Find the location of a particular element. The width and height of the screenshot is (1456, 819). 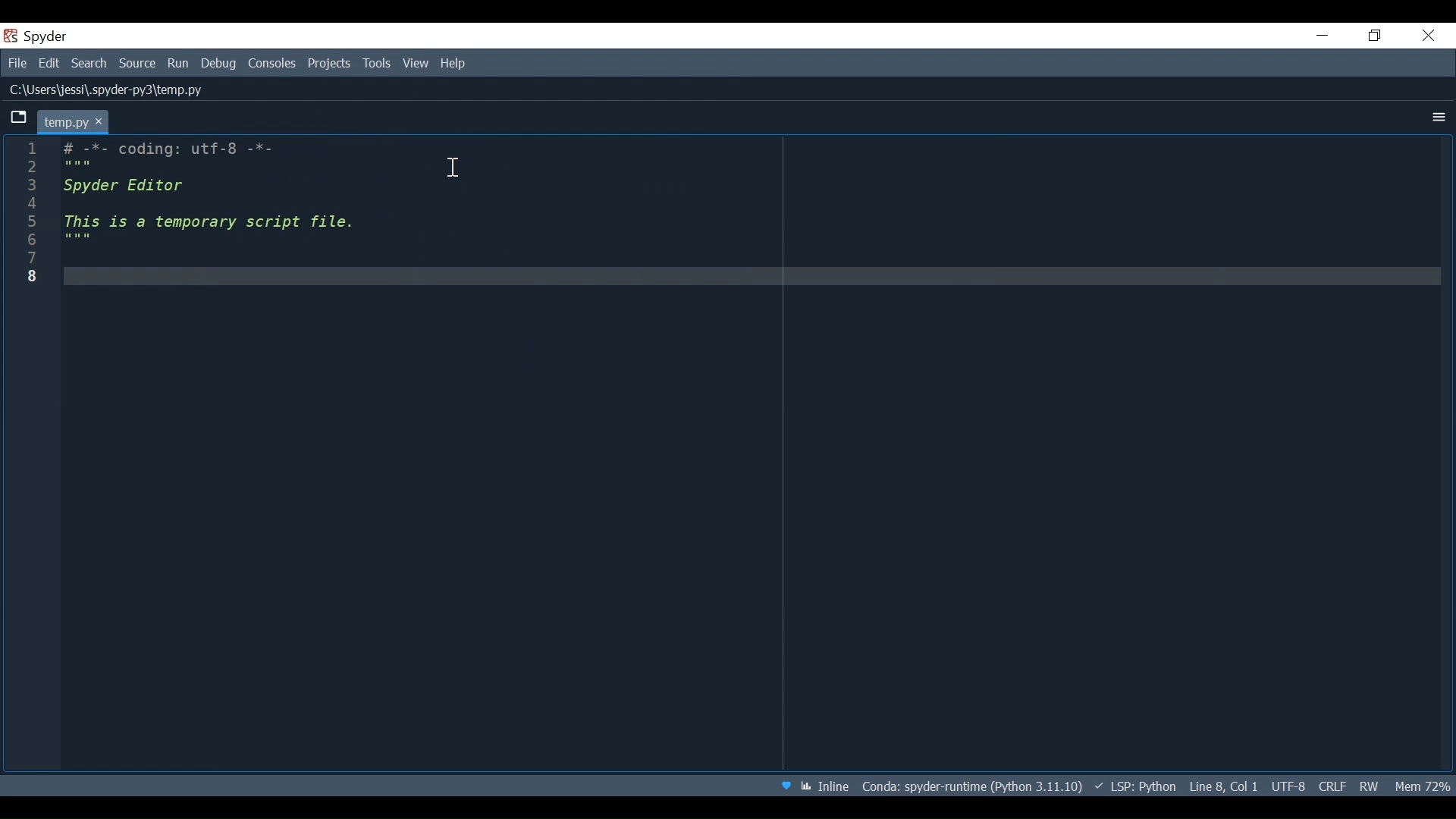

Conda: spyder-runtime (Python 3.11.10) is located at coordinates (974, 787).